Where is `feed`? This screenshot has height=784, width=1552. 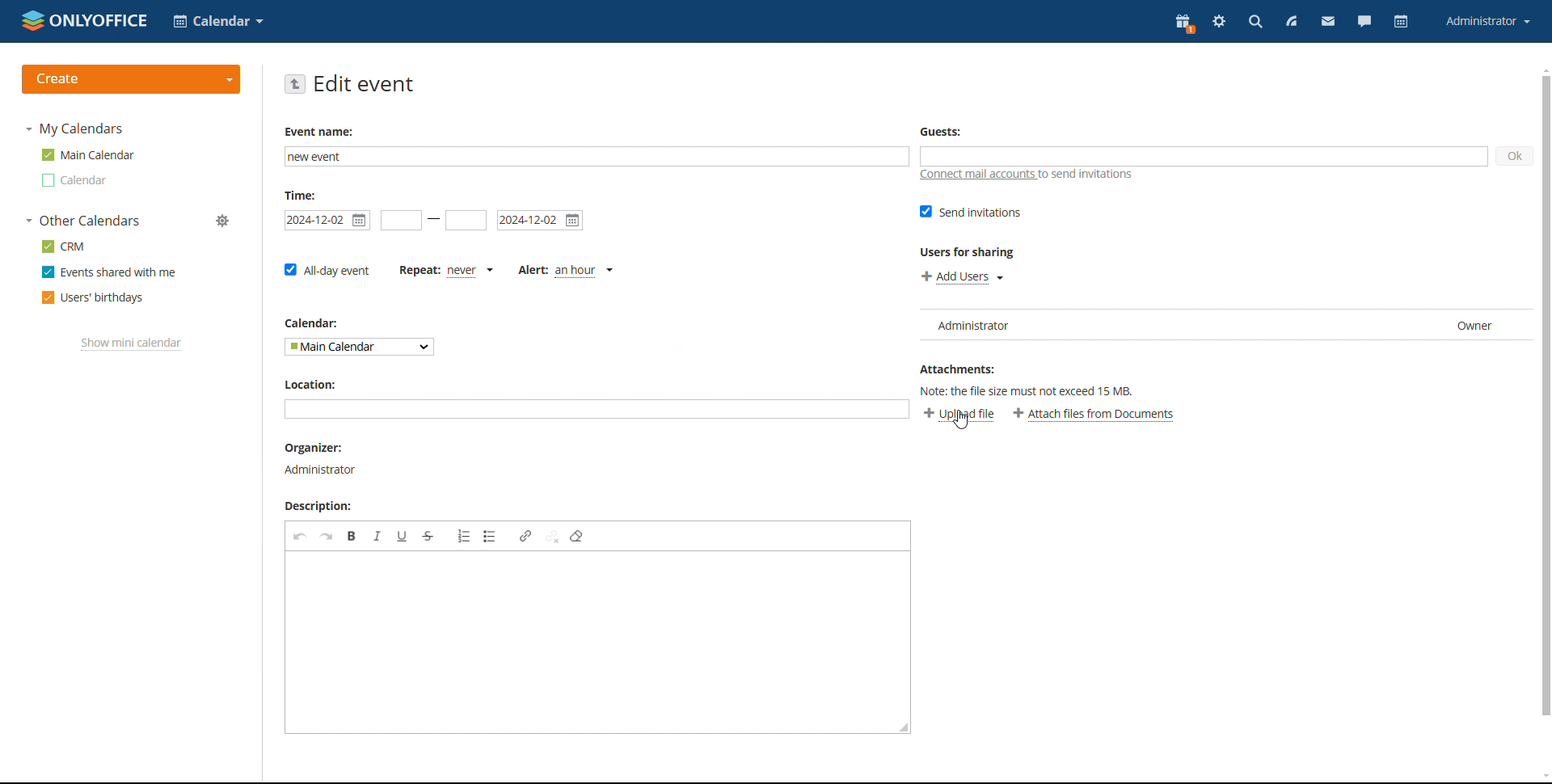
feed is located at coordinates (1292, 23).